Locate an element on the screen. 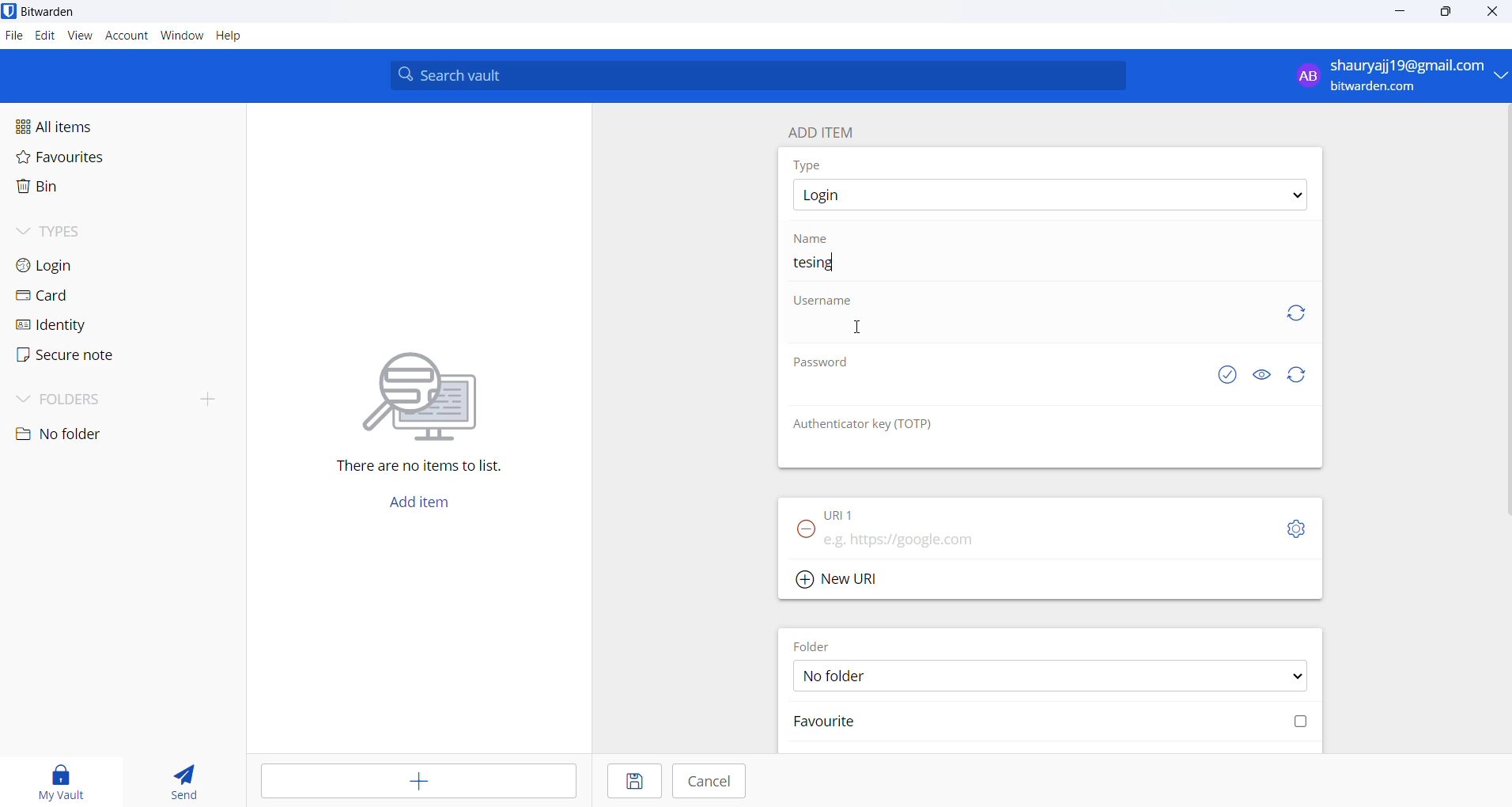 The width and height of the screenshot is (1512, 807). Item type options dropdown is located at coordinates (1049, 195).